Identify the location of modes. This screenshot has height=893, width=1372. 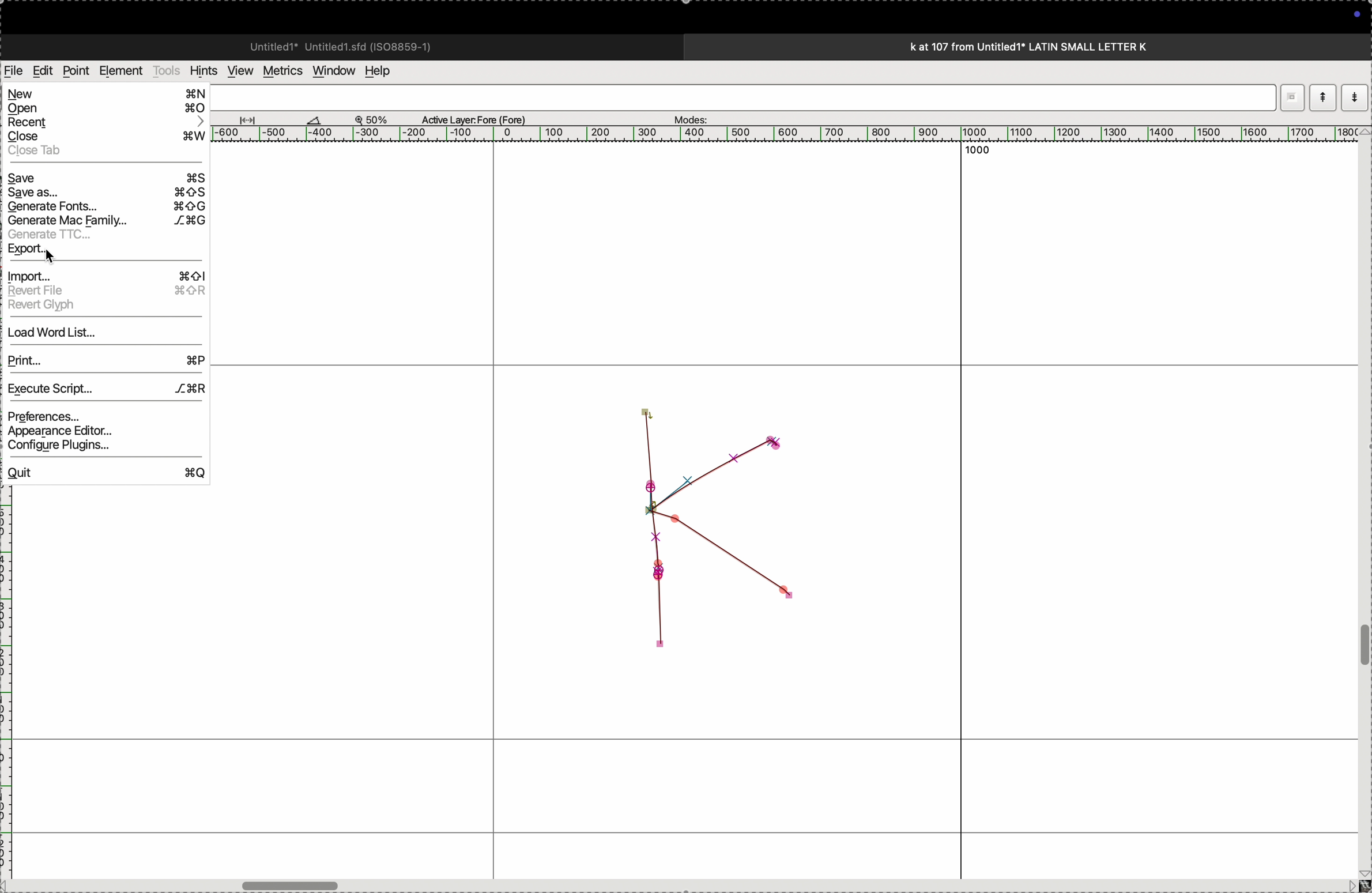
(687, 116).